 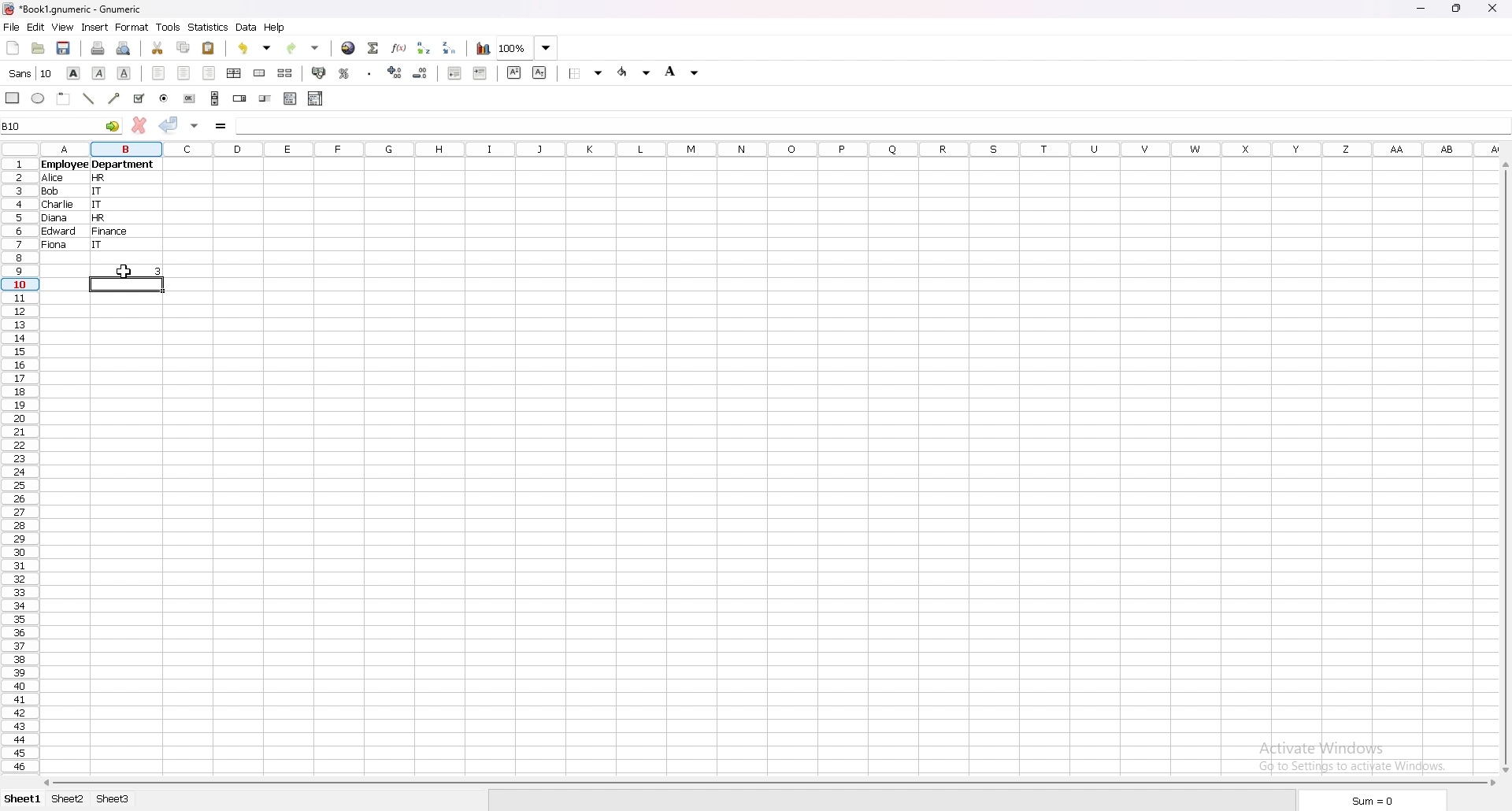 What do you see at coordinates (276, 27) in the screenshot?
I see `help` at bounding box center [276, 27].